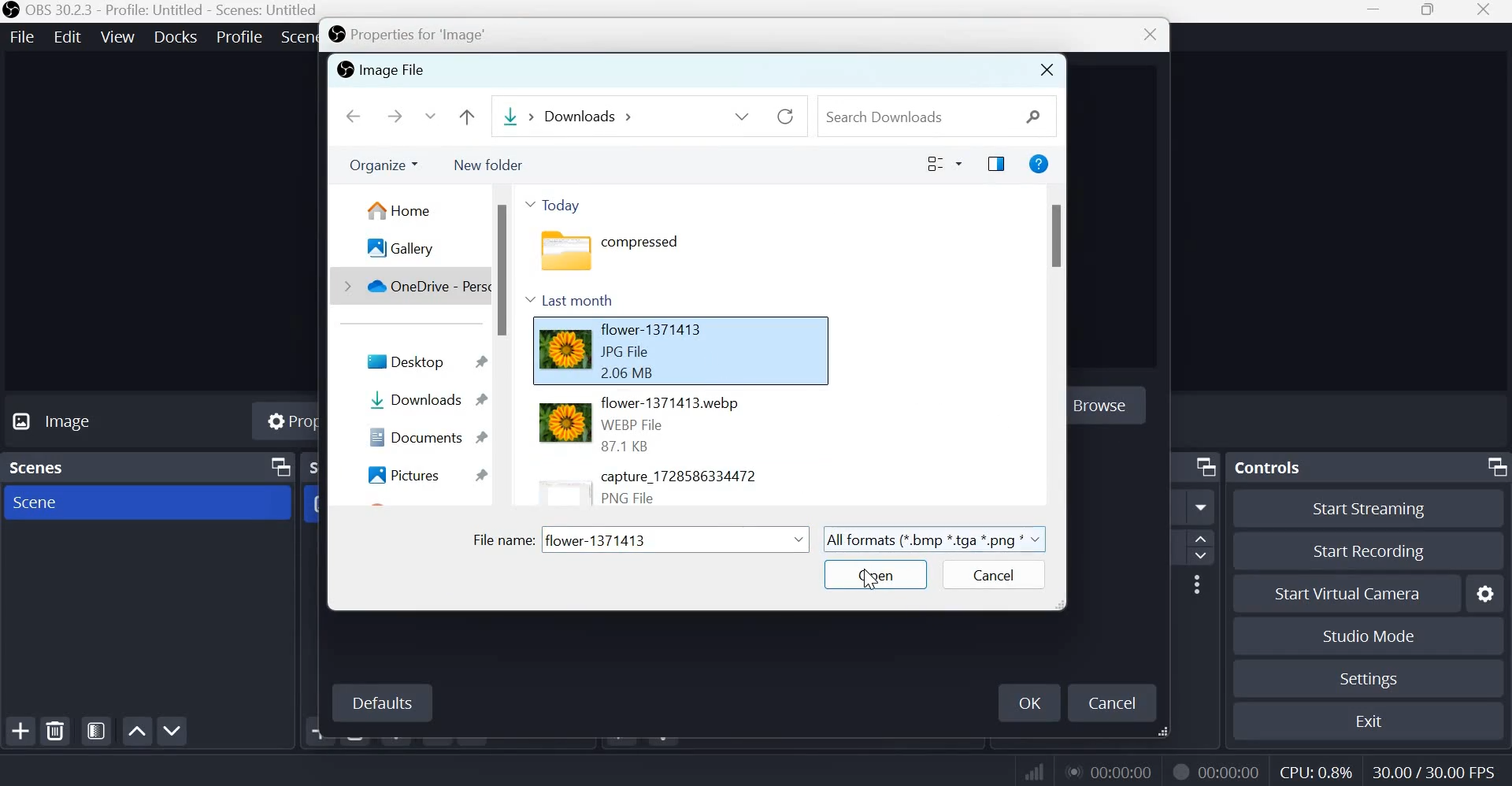 This screenshot has width=1512, height=786. Describe the element at coordinates (787, 114) in the screenshot. I see `refresh` at that location.